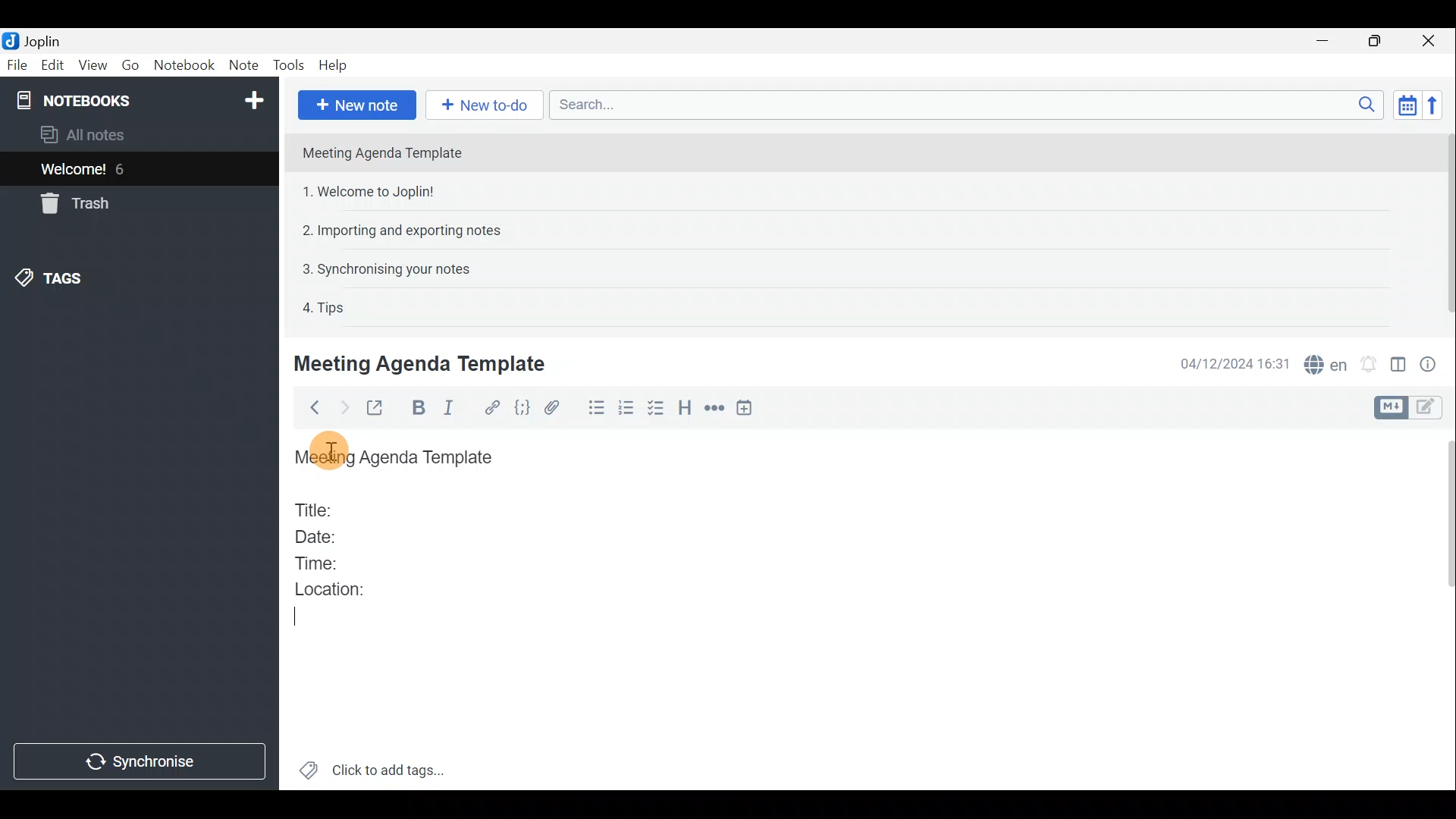 This screenshot has height=819, width=1456. Describe the element at coordinates (1370, 364) in the screenshot. I see `Set alarm` at that location.